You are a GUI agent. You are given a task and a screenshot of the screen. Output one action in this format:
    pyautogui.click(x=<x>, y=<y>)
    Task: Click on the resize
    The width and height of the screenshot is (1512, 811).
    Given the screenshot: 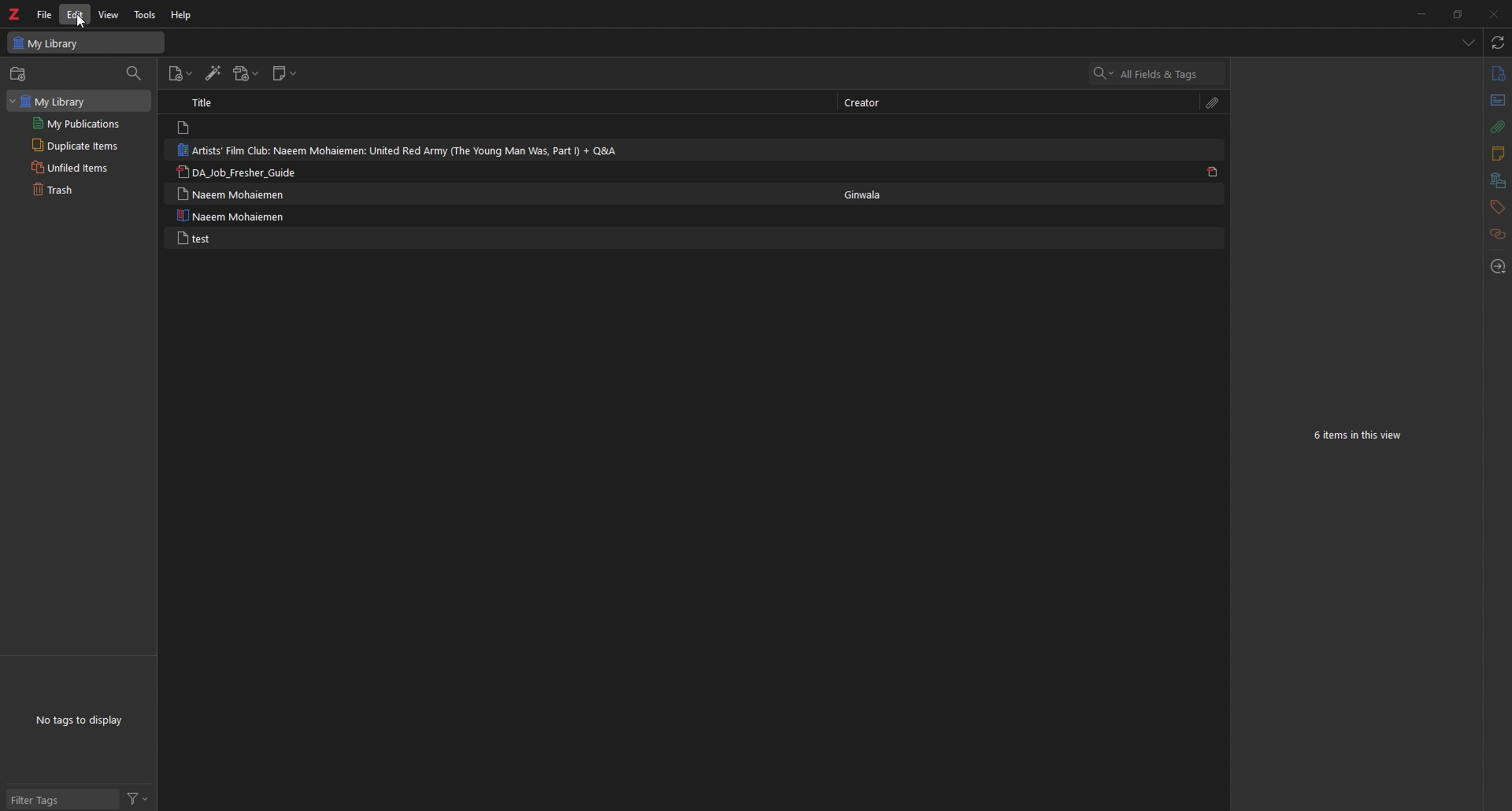 What is the action you would take?
    pyautogui.click(x=1457, y=13)
    